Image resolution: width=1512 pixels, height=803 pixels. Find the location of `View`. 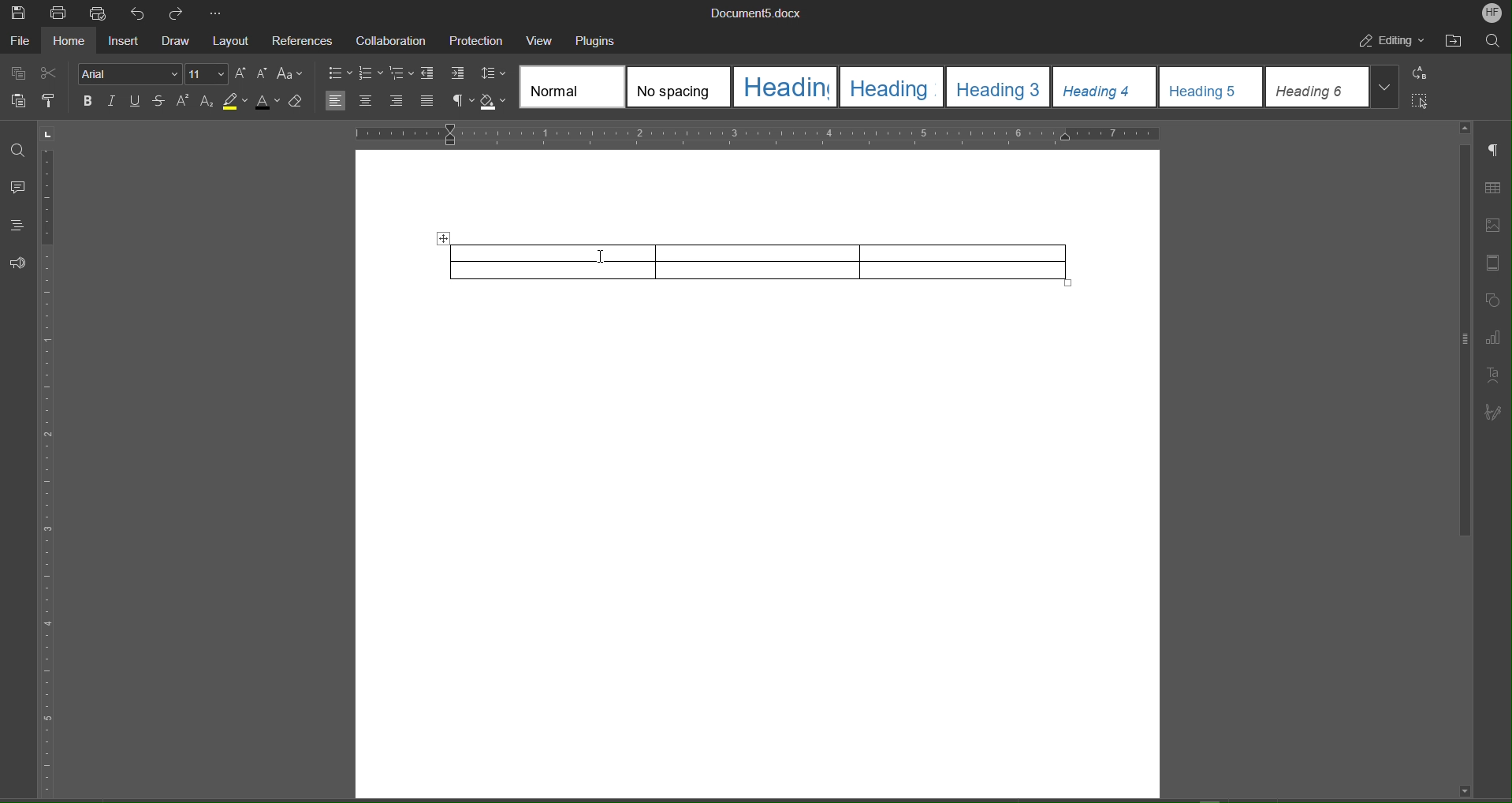

View is located at coordinates (543, 40).